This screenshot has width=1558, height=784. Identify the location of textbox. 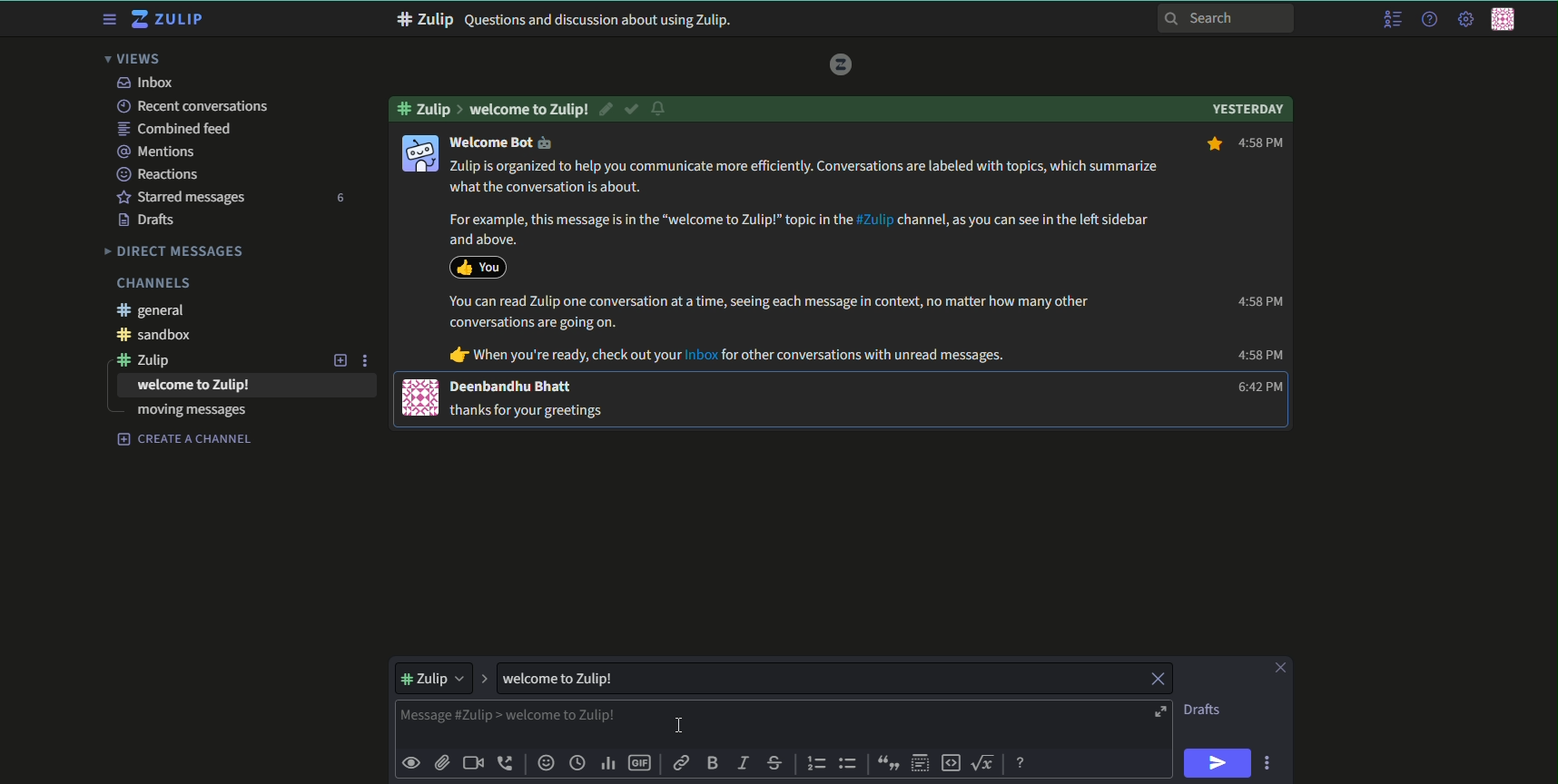
(580, 678).